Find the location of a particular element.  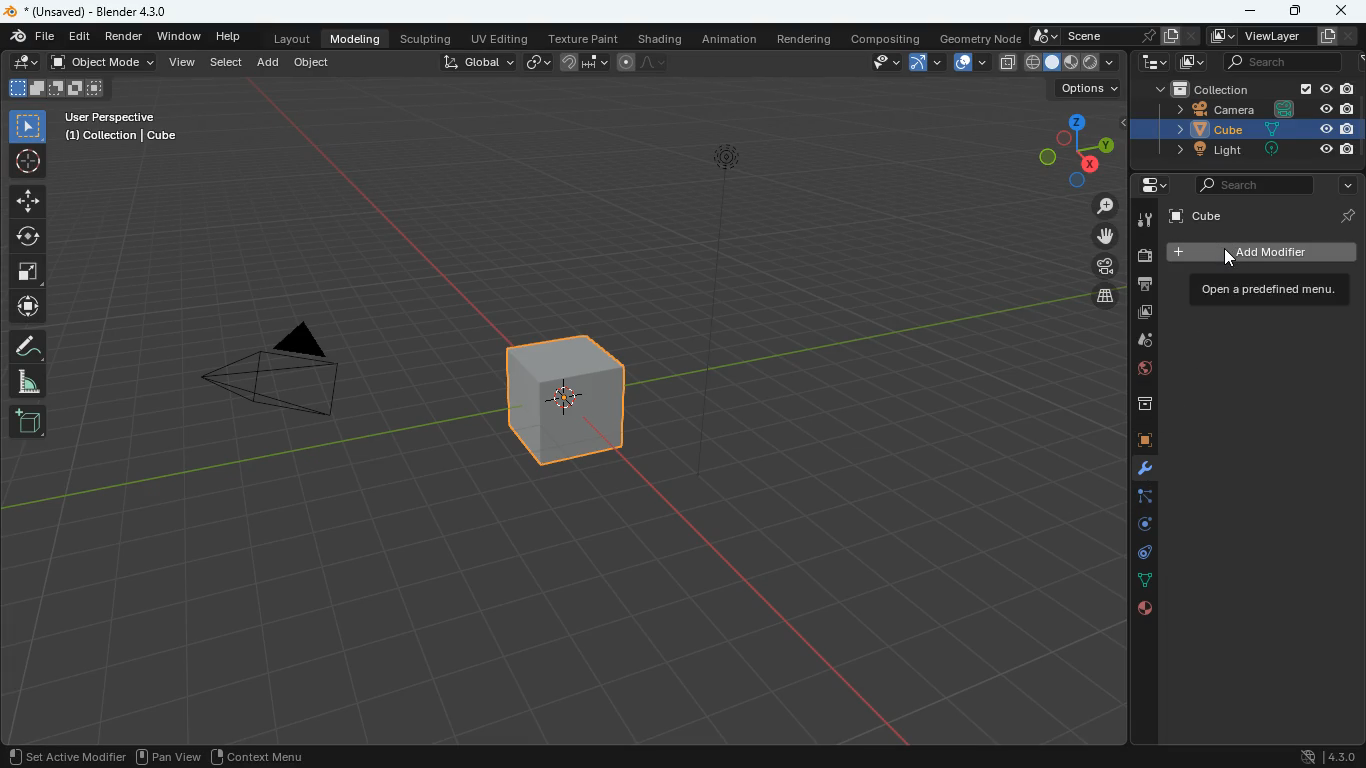

cube is located at coordinates (1194, 128).